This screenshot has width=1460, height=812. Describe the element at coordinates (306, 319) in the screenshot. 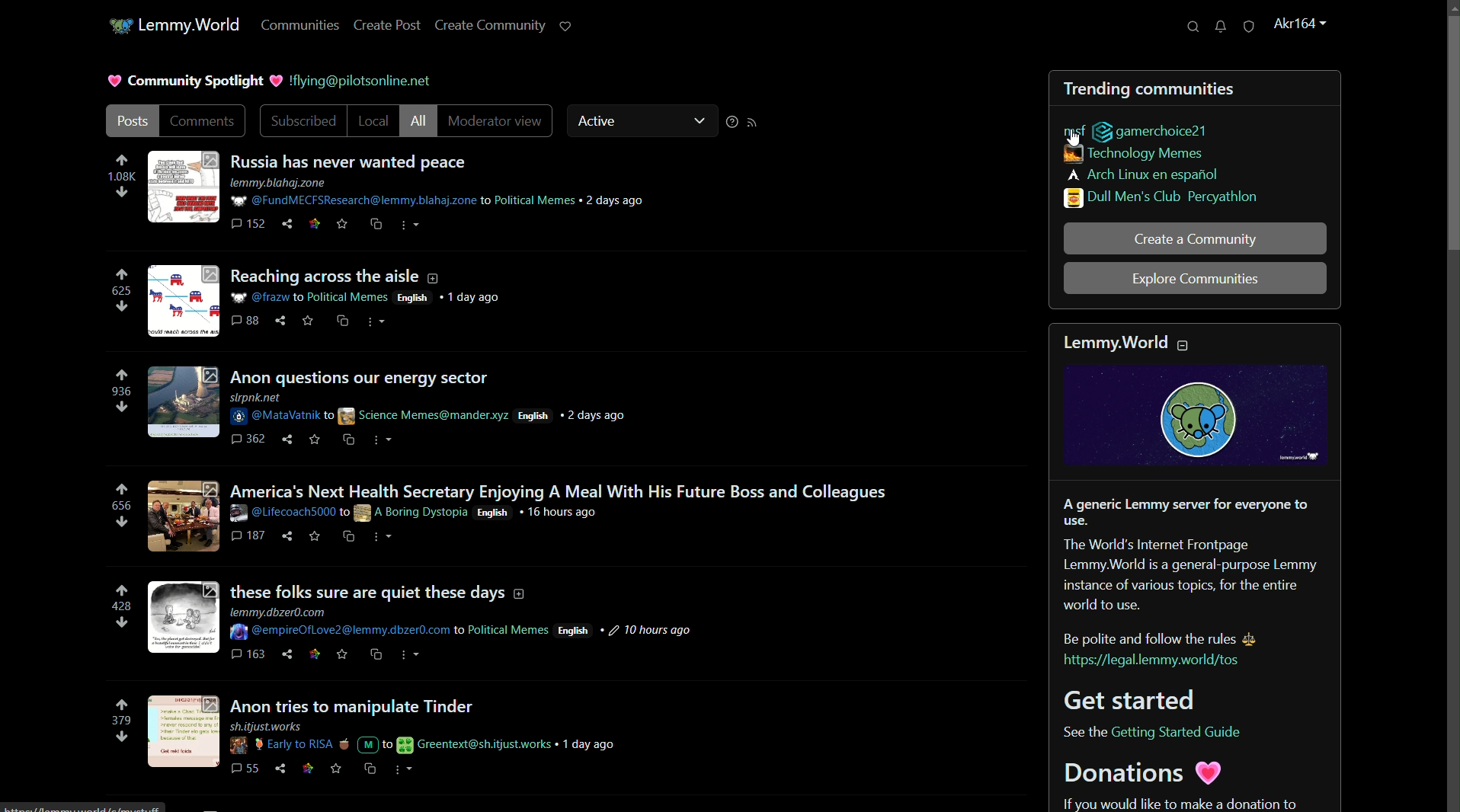

I see `save` at that location.